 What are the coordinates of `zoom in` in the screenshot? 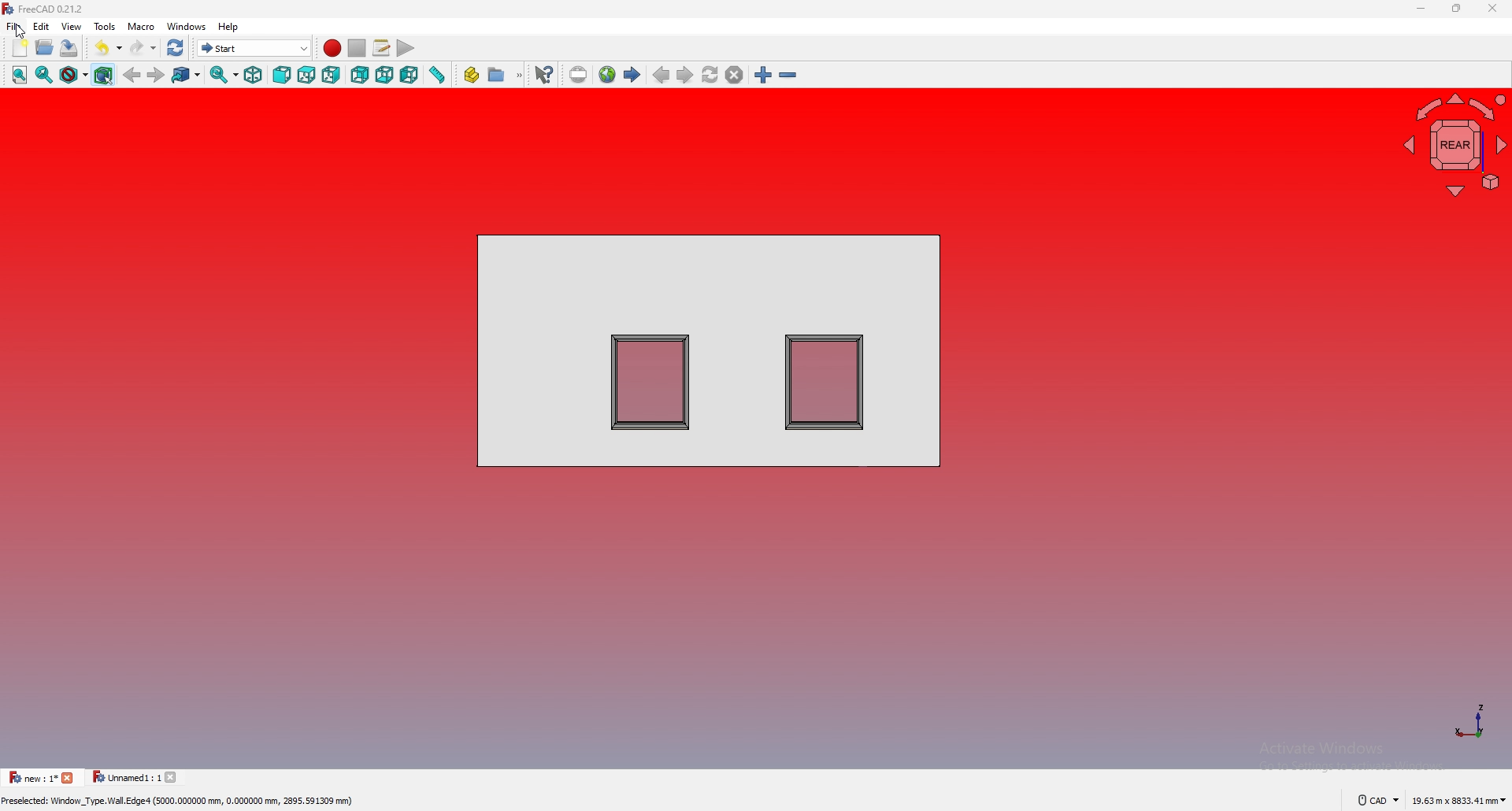 It's located at (763, 75).